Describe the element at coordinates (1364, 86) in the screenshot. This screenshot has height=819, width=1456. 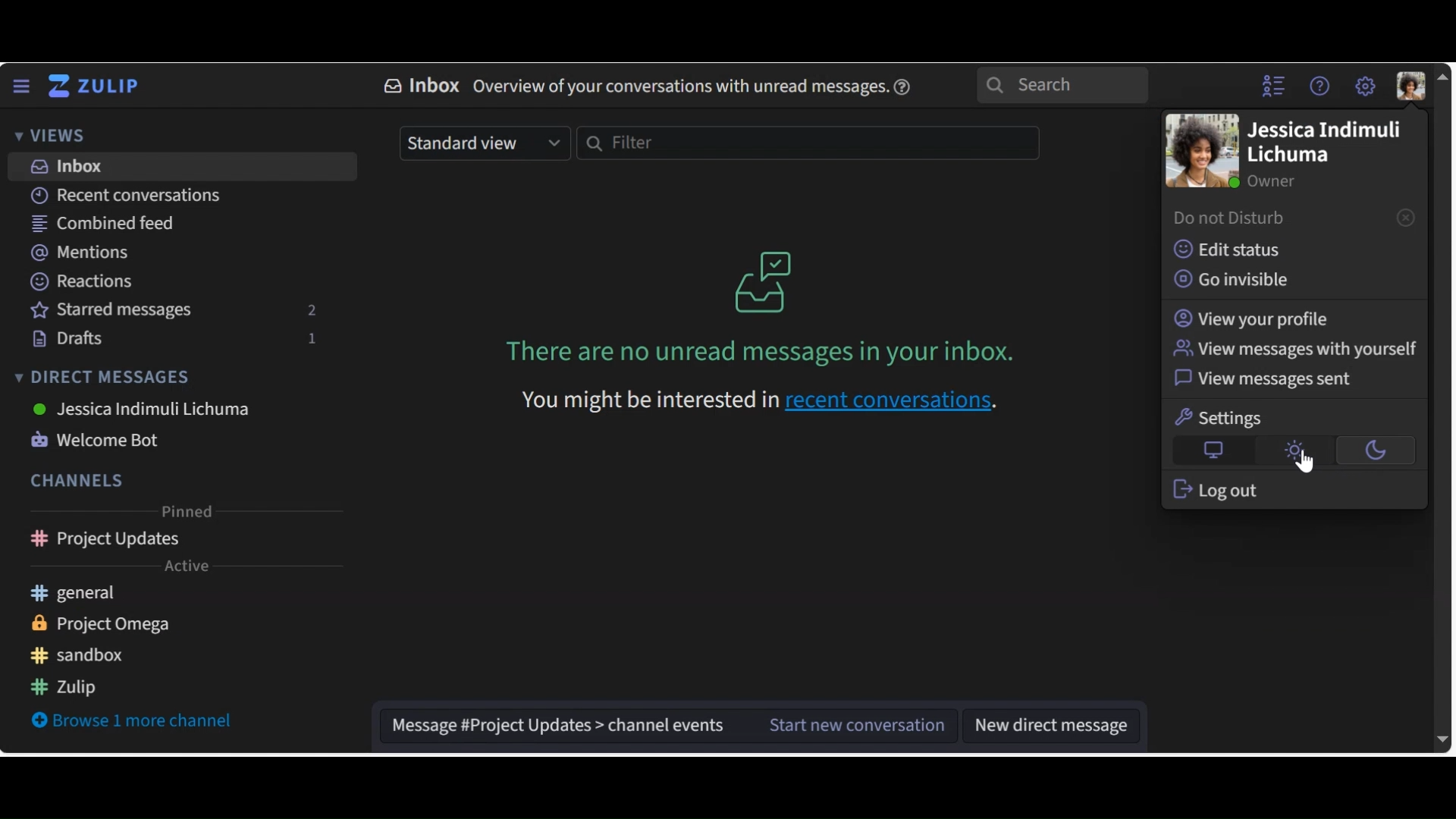
I see `settings` at that location.